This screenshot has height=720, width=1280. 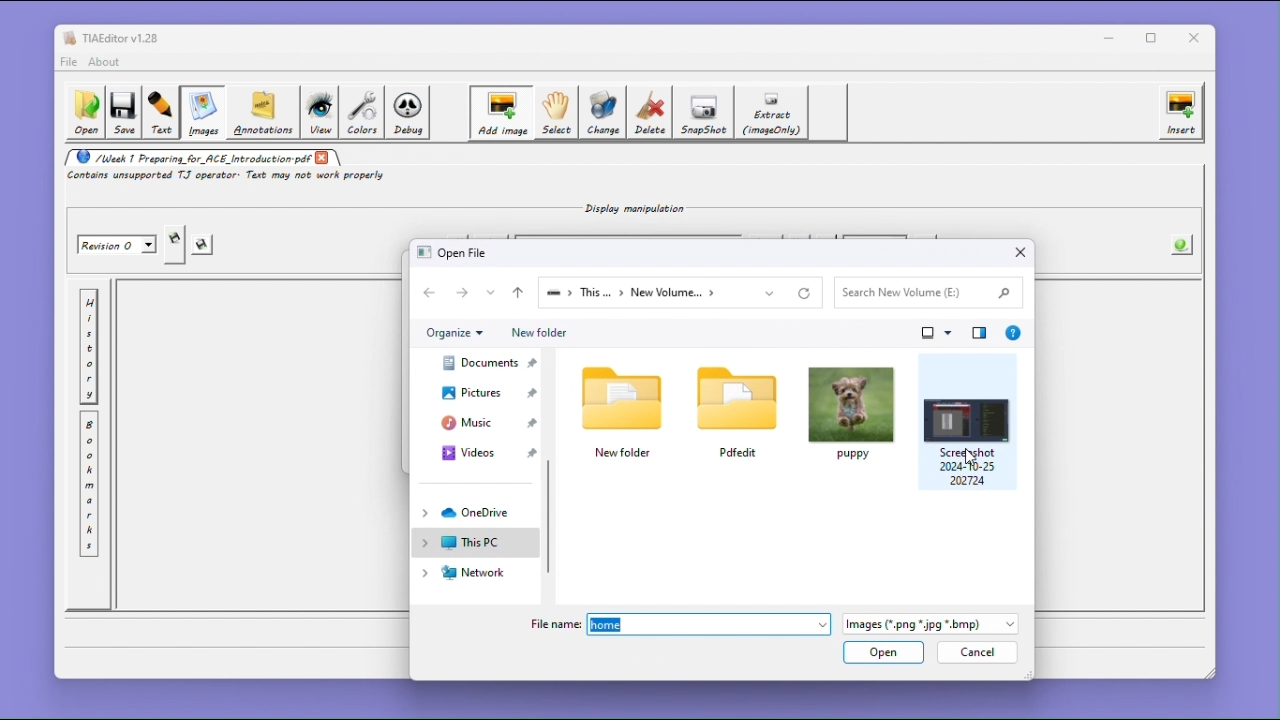 What do you see at coordinates (480, 392) in the screenshot?
I see `pictures` at bounding box center [480, 392].